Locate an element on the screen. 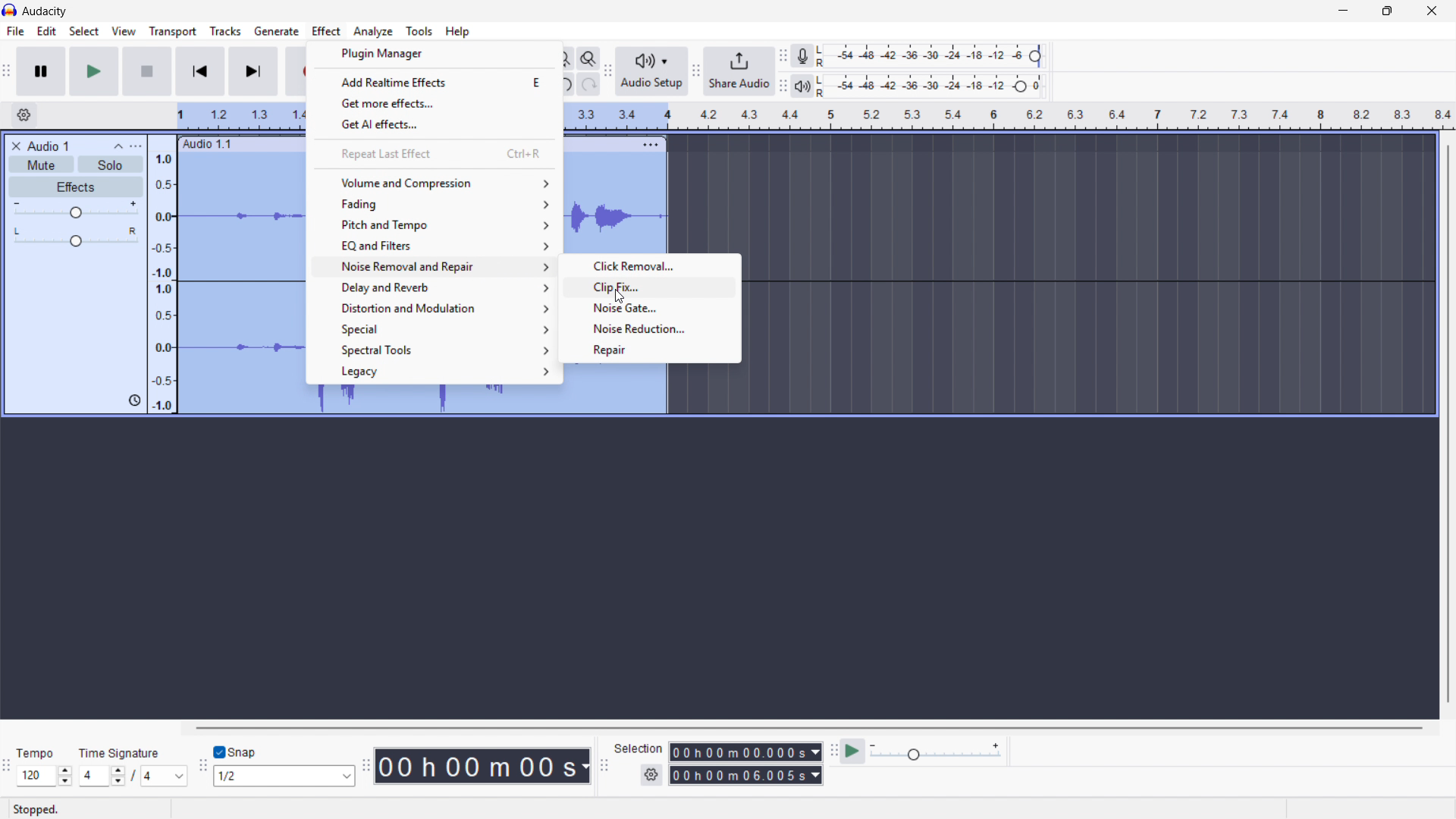 This screenshot has width=1456, height=819. Toggle snap is located at coordinates (236, 753).